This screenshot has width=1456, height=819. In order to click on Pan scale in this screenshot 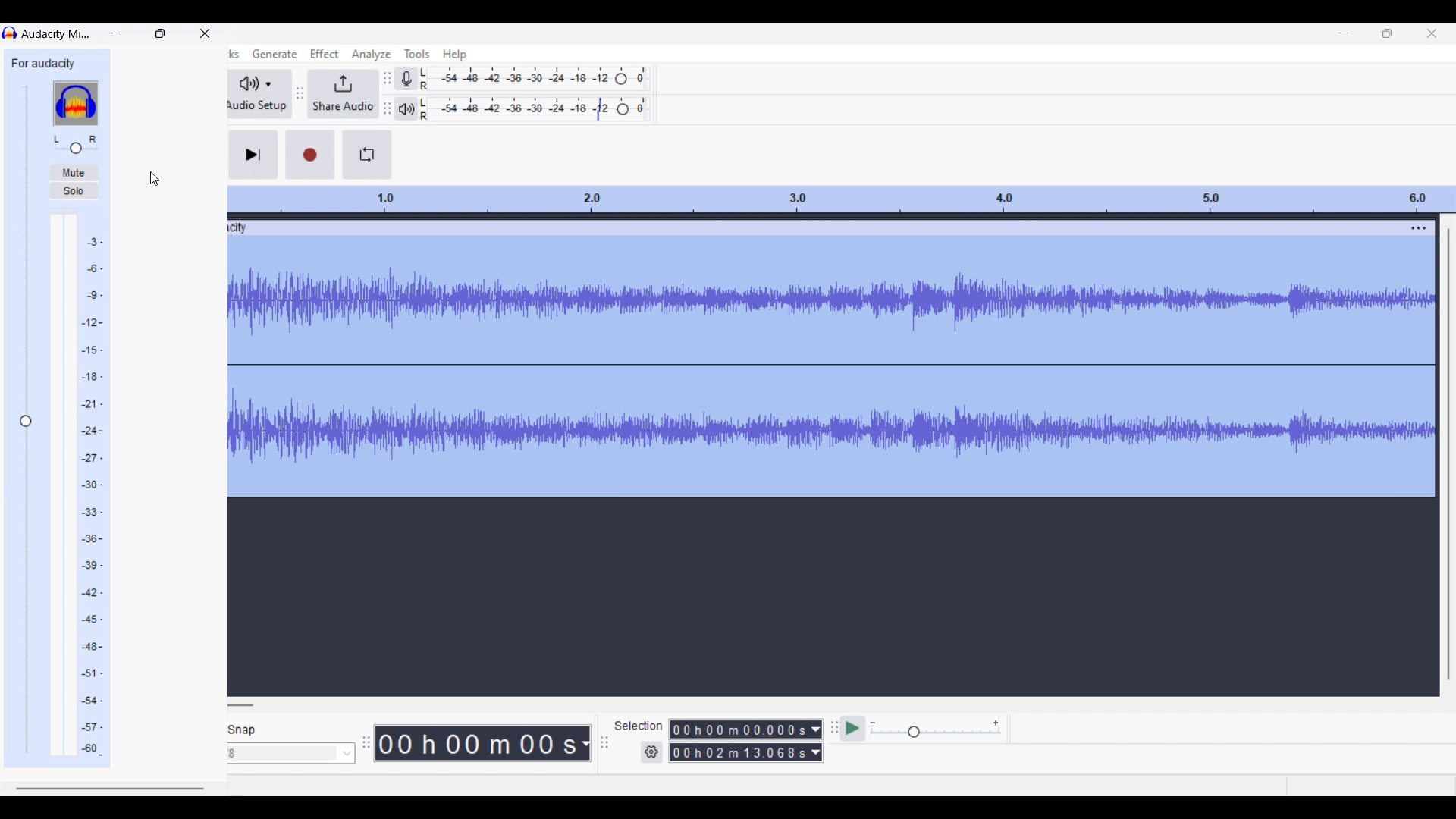, I will do `click(76, 144)`.